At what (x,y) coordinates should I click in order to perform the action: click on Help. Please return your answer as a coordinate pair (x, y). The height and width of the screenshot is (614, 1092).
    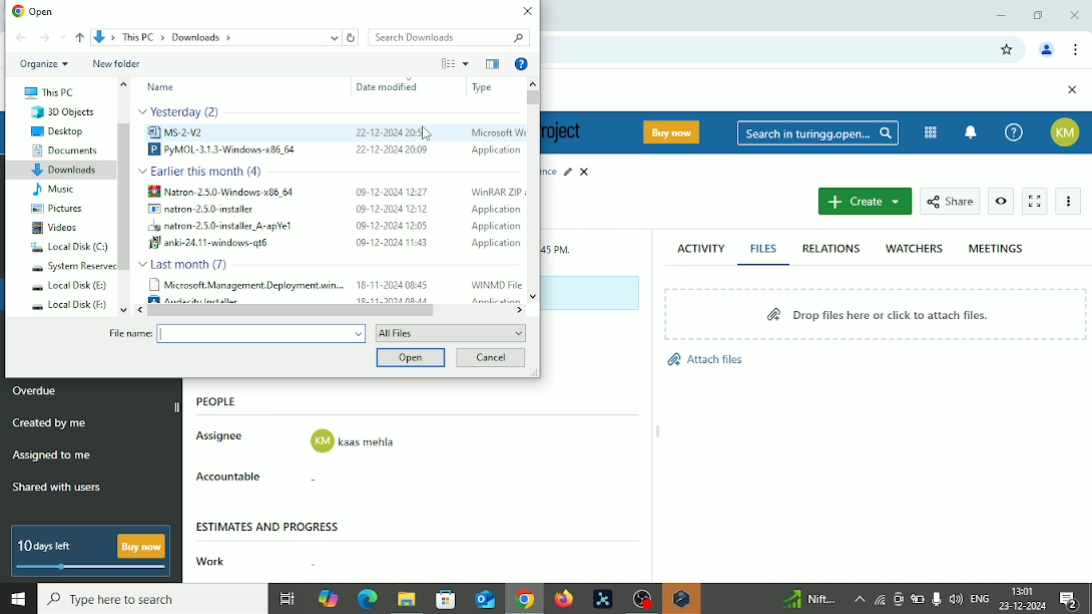
    Looking at the image, I should click on (1014, 132).